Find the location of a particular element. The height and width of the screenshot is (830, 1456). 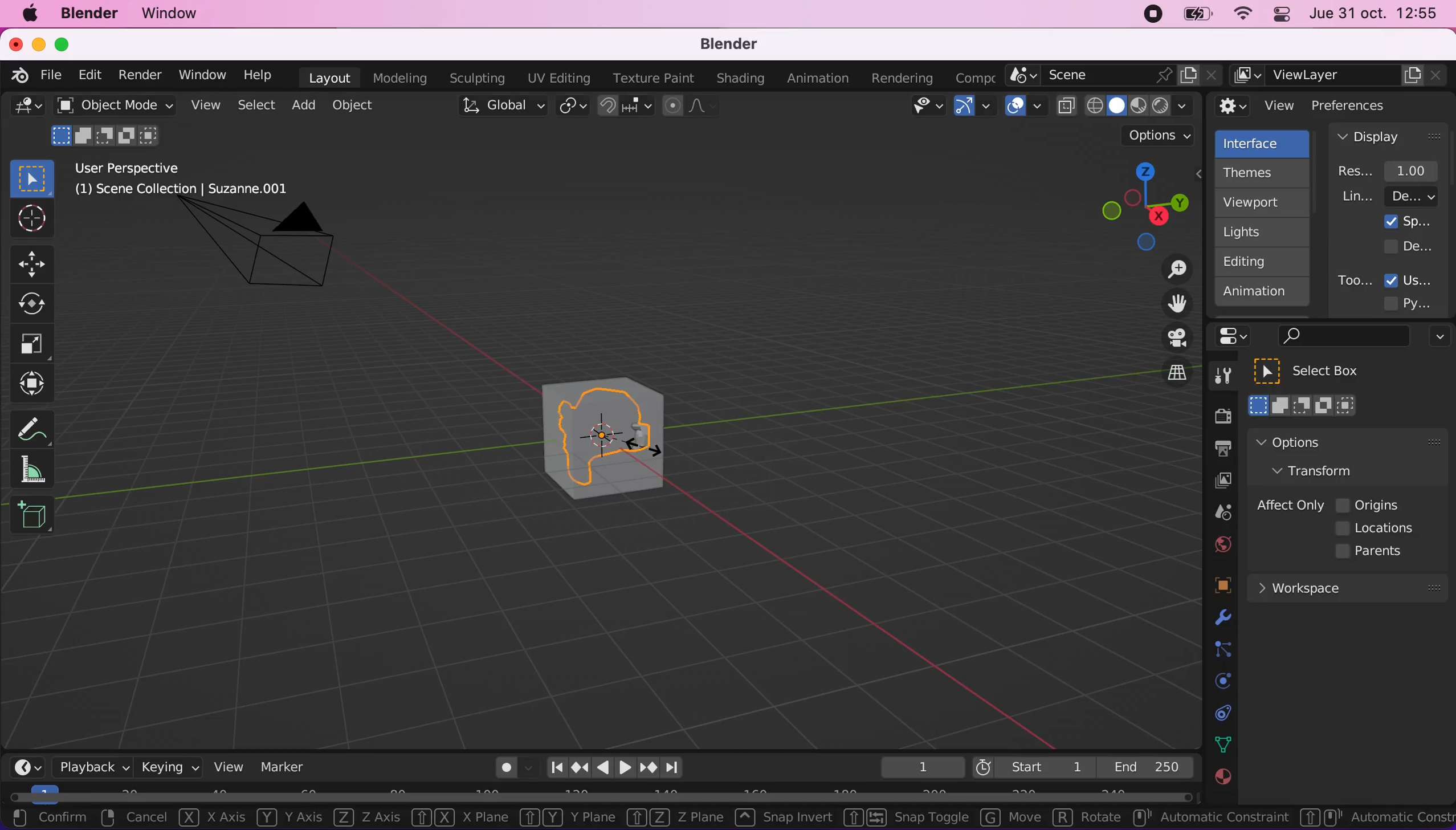

lights is located at coordinates (1265, 233).